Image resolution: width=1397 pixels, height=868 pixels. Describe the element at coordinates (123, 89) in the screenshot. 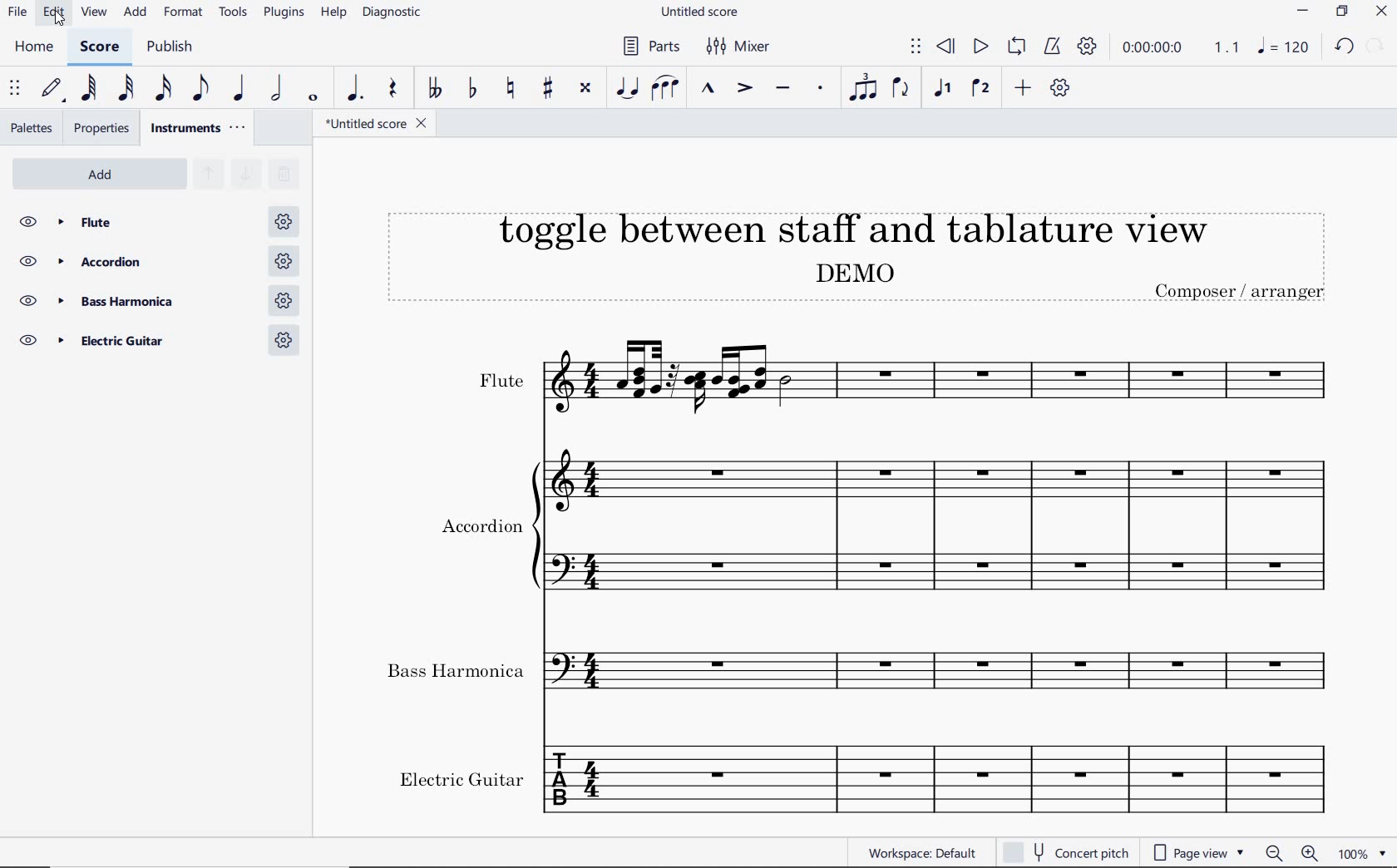

I see `32nd note` at that location.